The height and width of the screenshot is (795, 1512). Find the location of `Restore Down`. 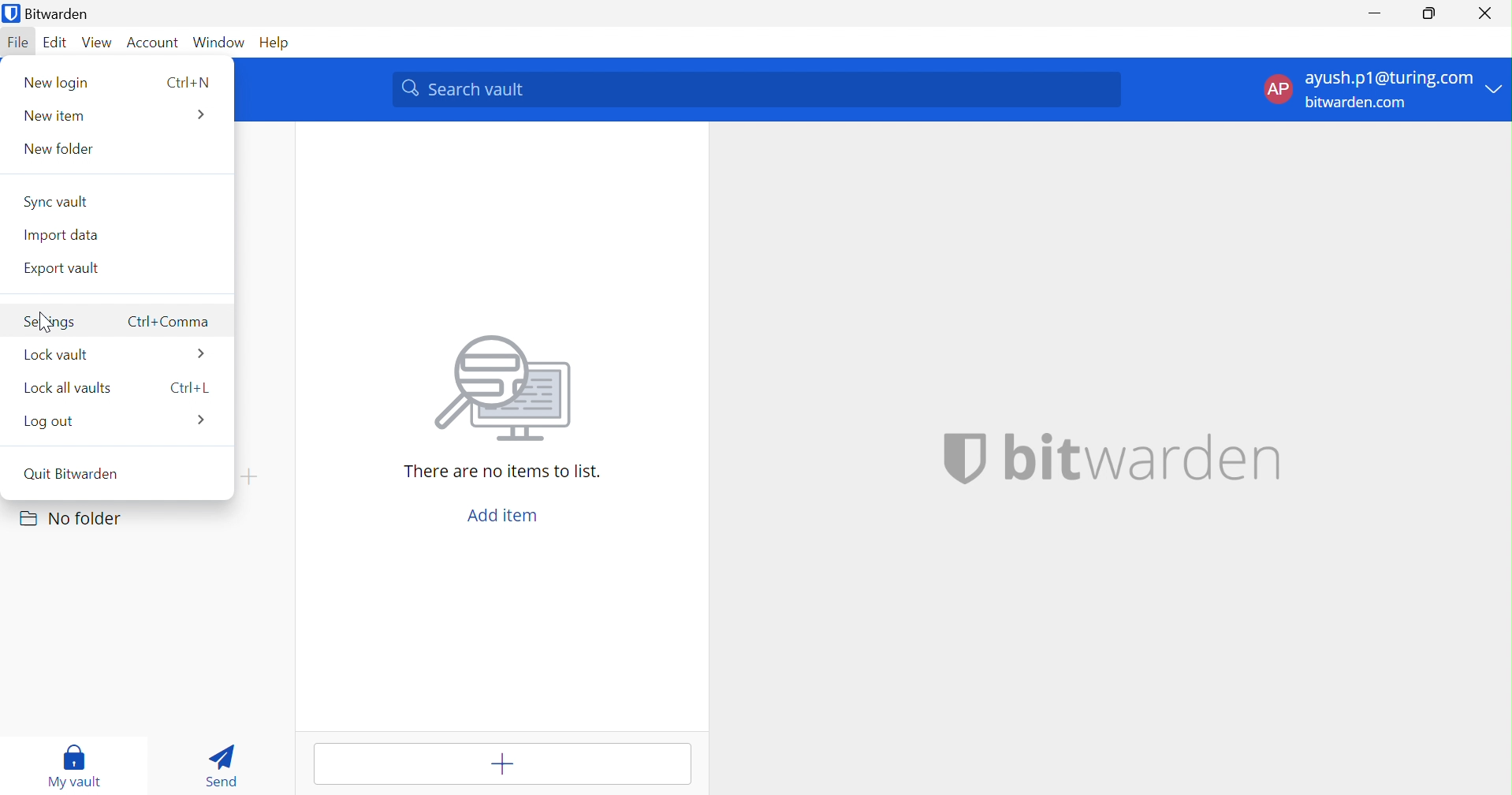

Restore Down is located at coordinates (1429, 14).